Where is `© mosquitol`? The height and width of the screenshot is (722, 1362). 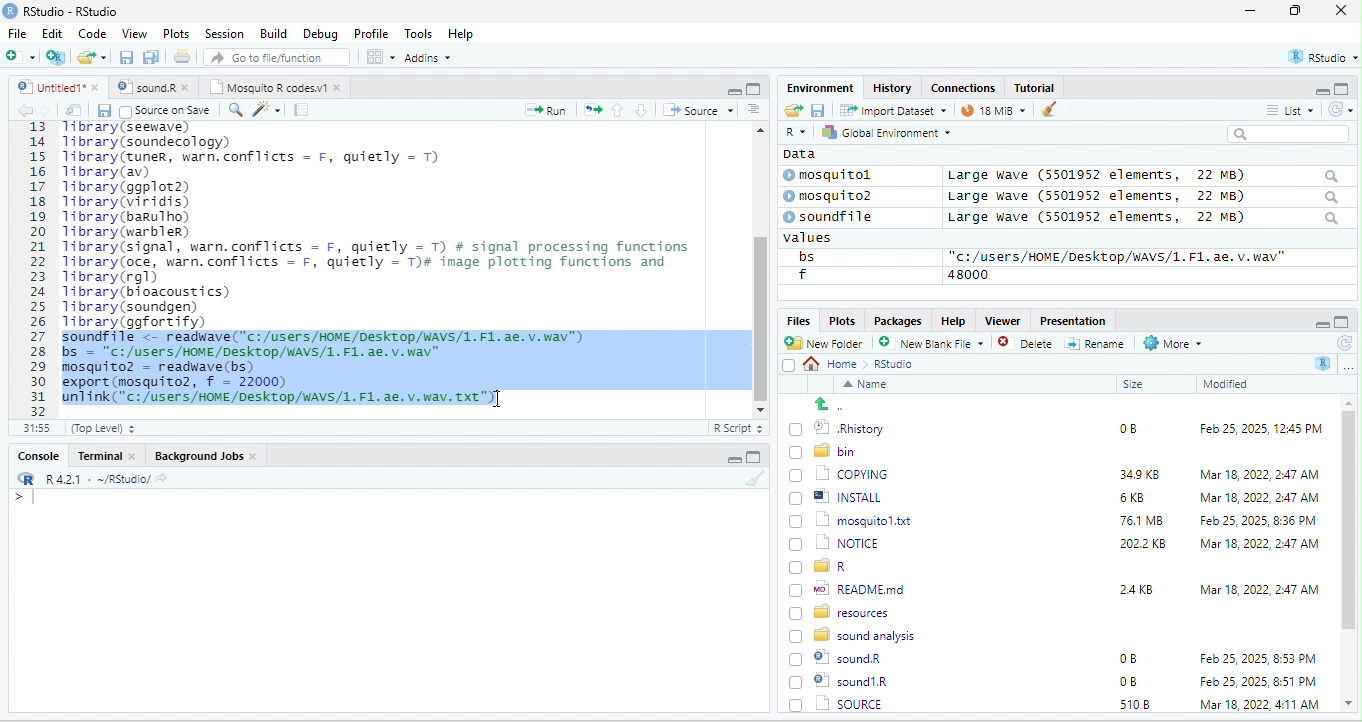 © mosquitol is located at coordinates (842, 175).